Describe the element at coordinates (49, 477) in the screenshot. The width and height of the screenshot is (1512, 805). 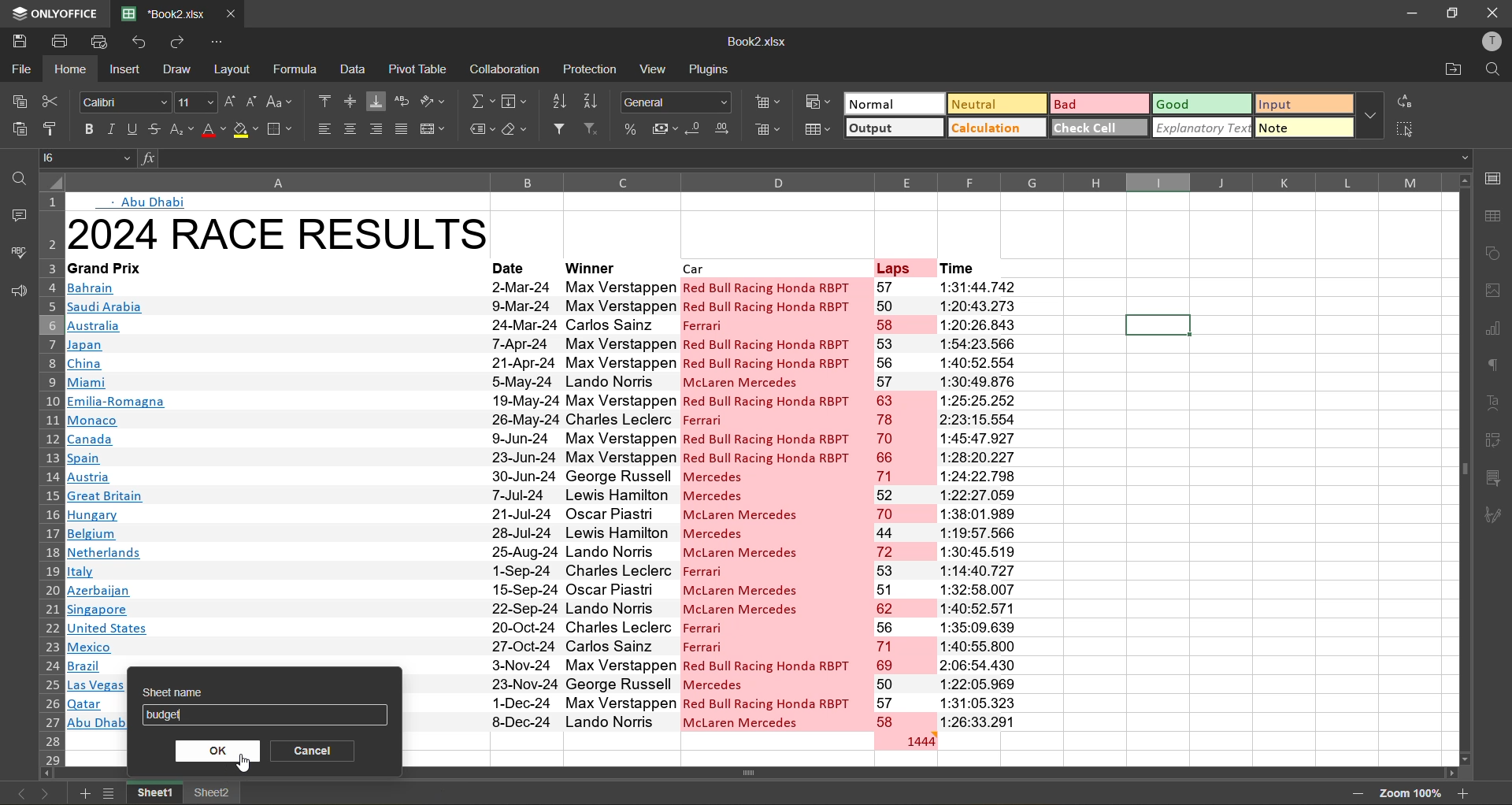
I see `row numbers` at that location.